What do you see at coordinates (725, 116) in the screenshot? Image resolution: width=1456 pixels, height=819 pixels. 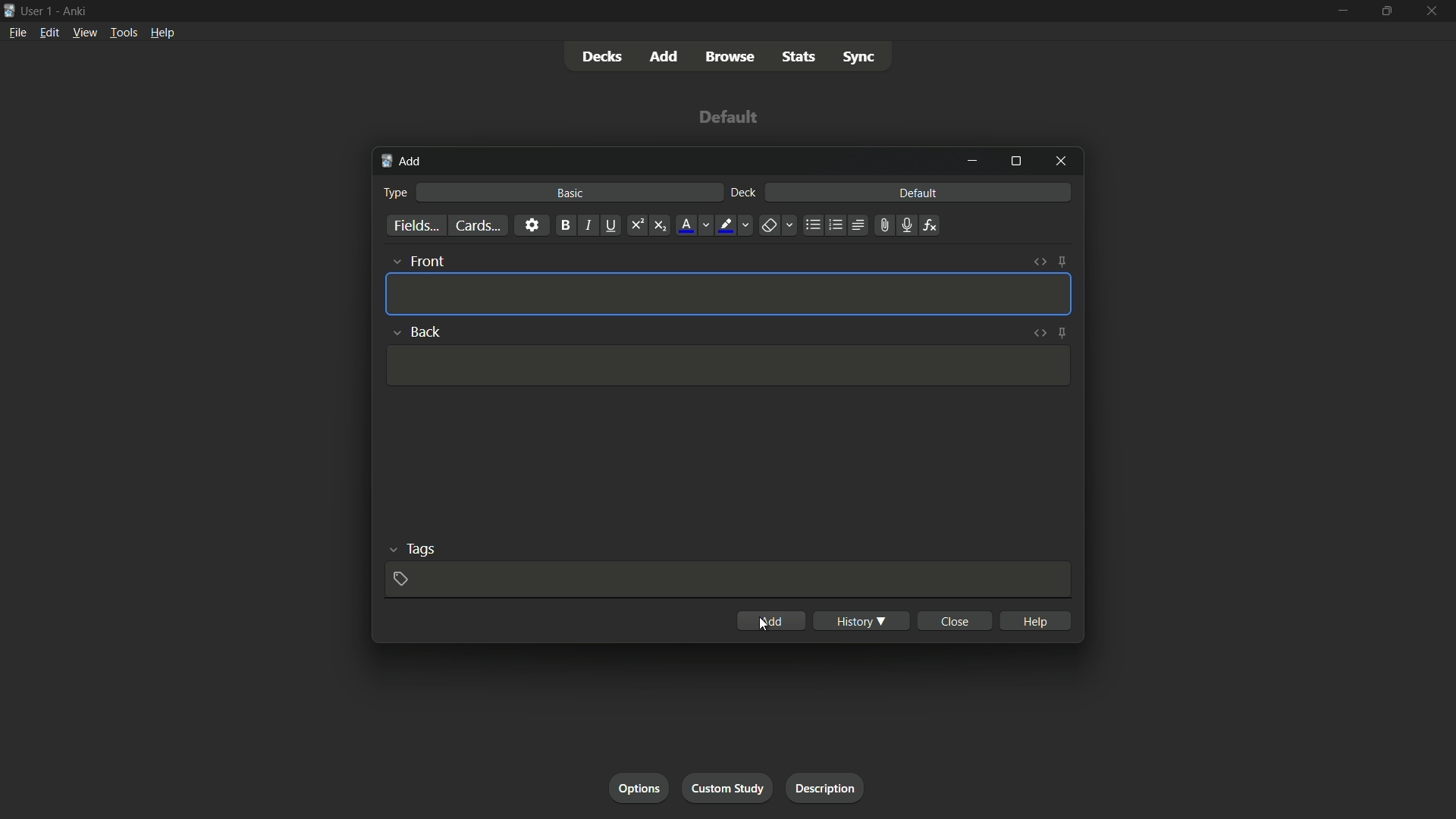 I see `default` at bounding box center [725, 116].